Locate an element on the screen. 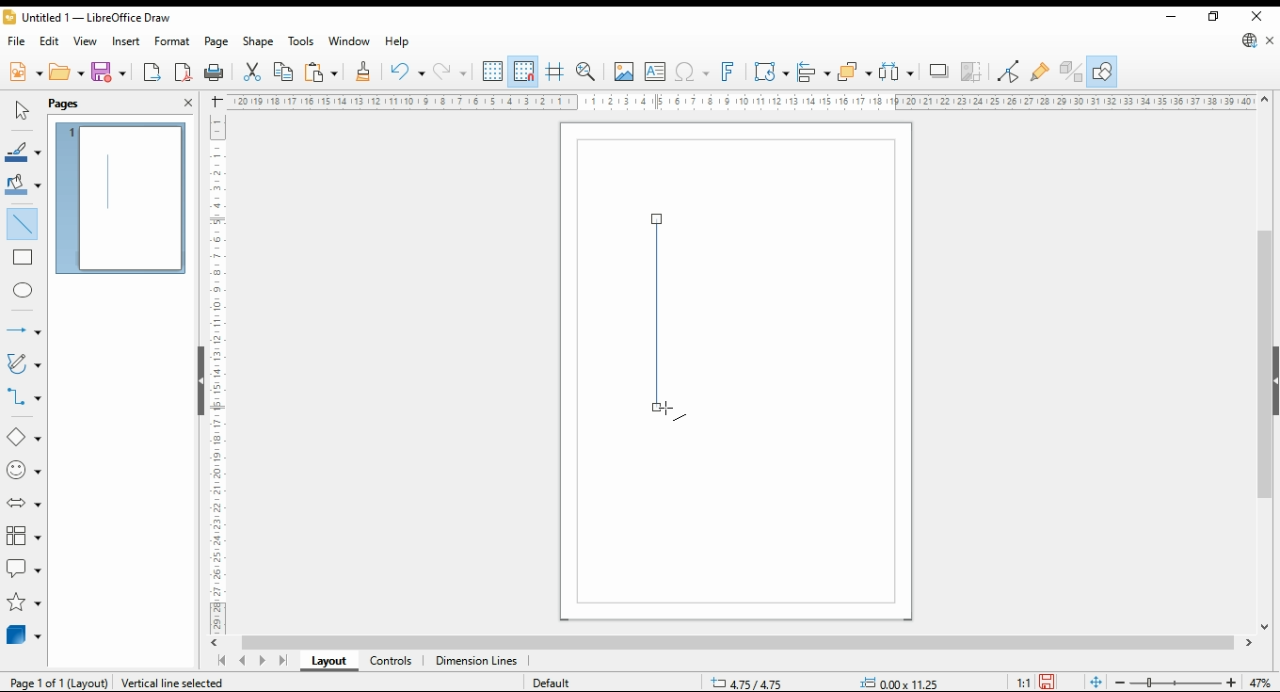 The image size is (1280, 692). pages is located at coordinates (73, 103).